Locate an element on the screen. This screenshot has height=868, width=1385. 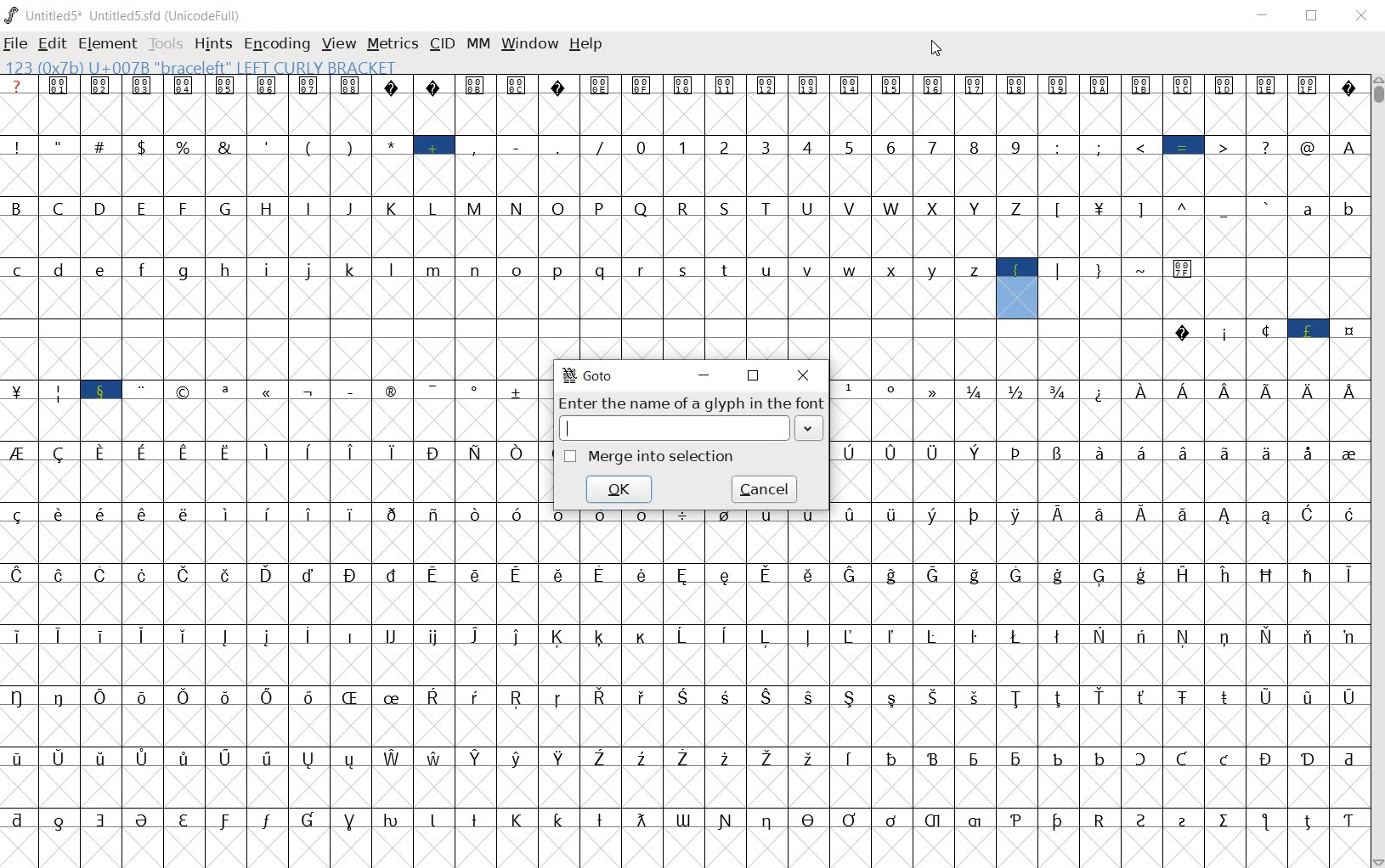
ELEMENT is located at coordinates (107, 44).